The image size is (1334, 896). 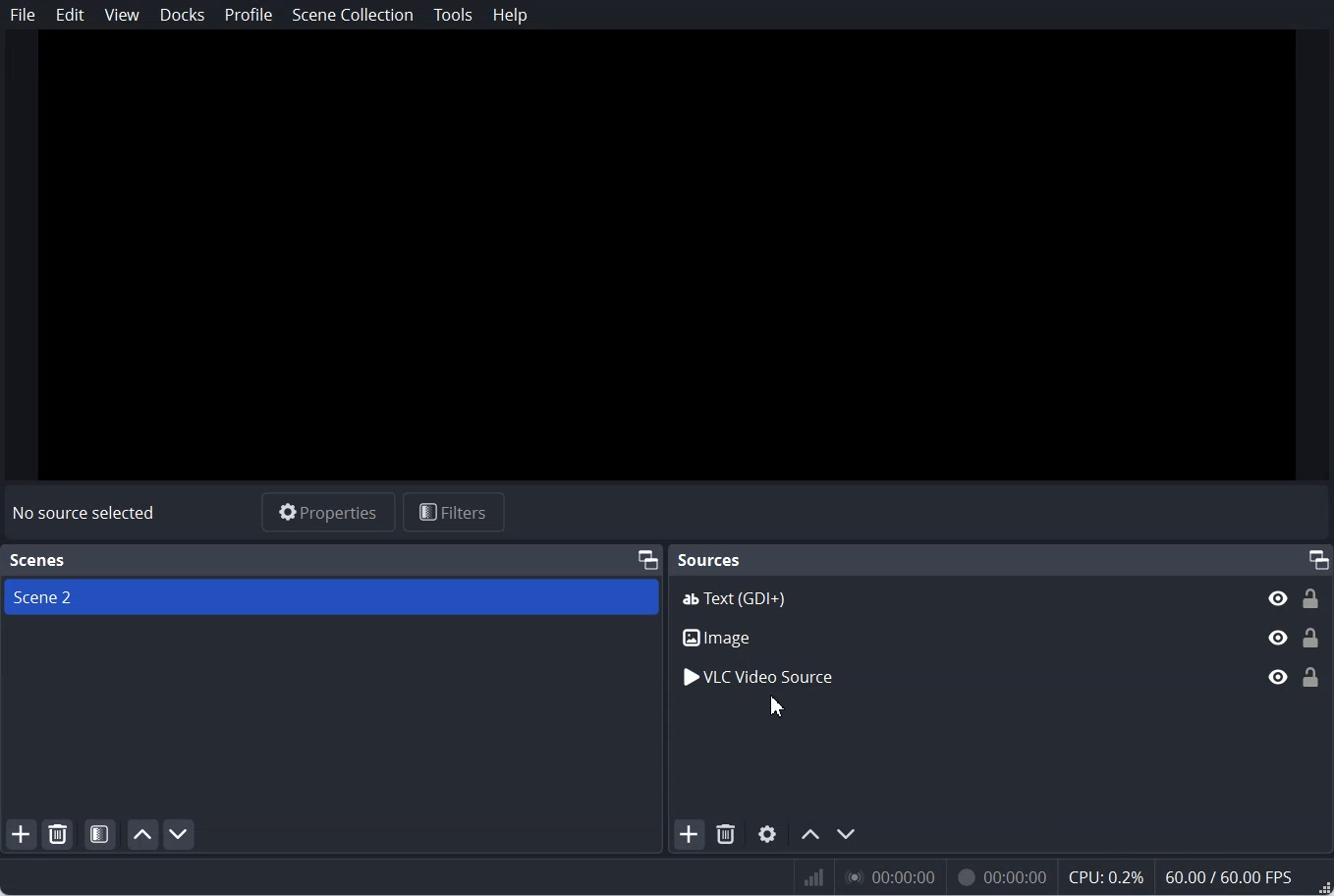 What do you see at coordinates (22, 832) in the screenshot?
I see `Add Scene` at bounding box center [22, 832].